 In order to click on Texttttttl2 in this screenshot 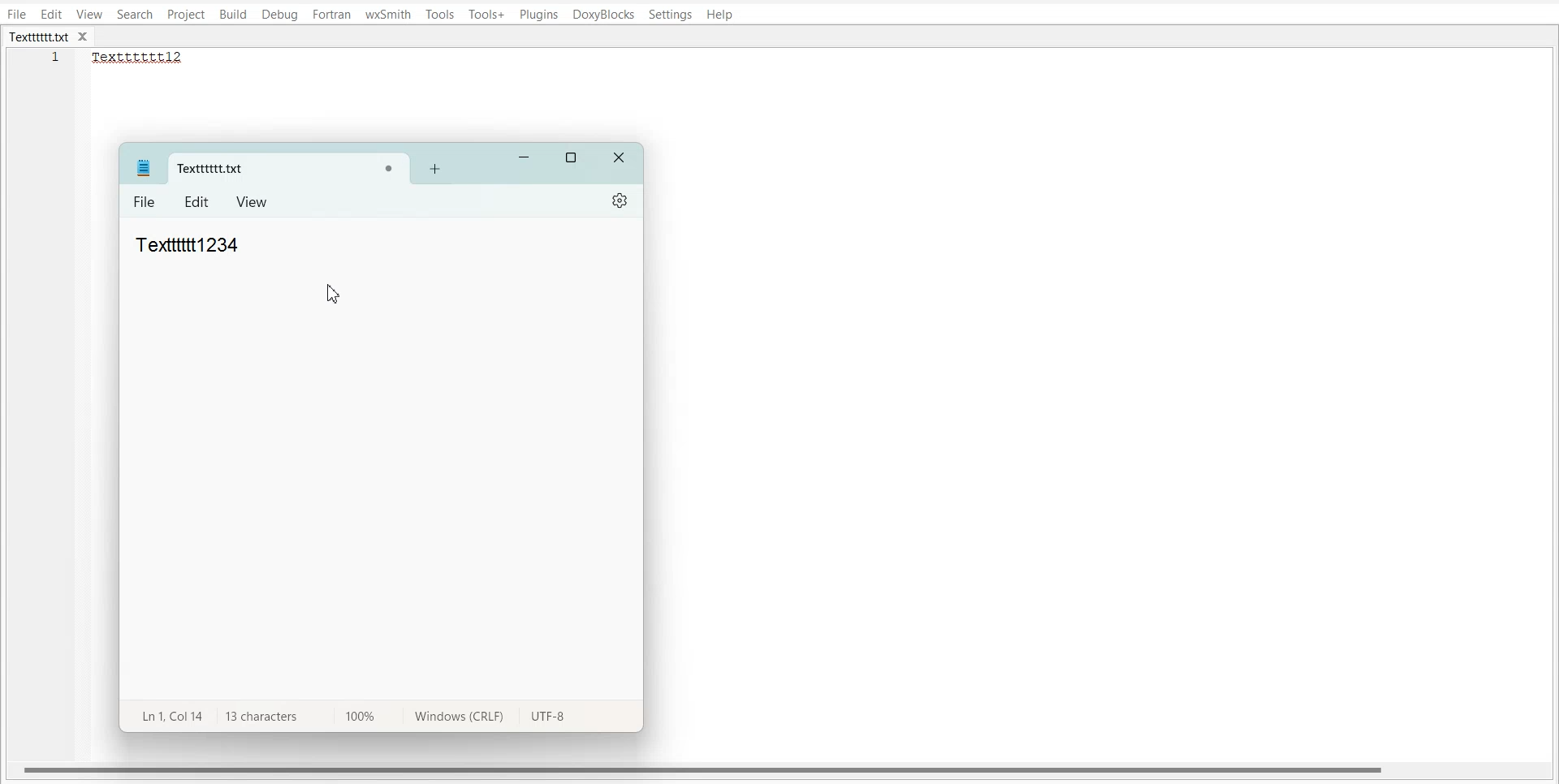, I will do `click(146, 58)`.